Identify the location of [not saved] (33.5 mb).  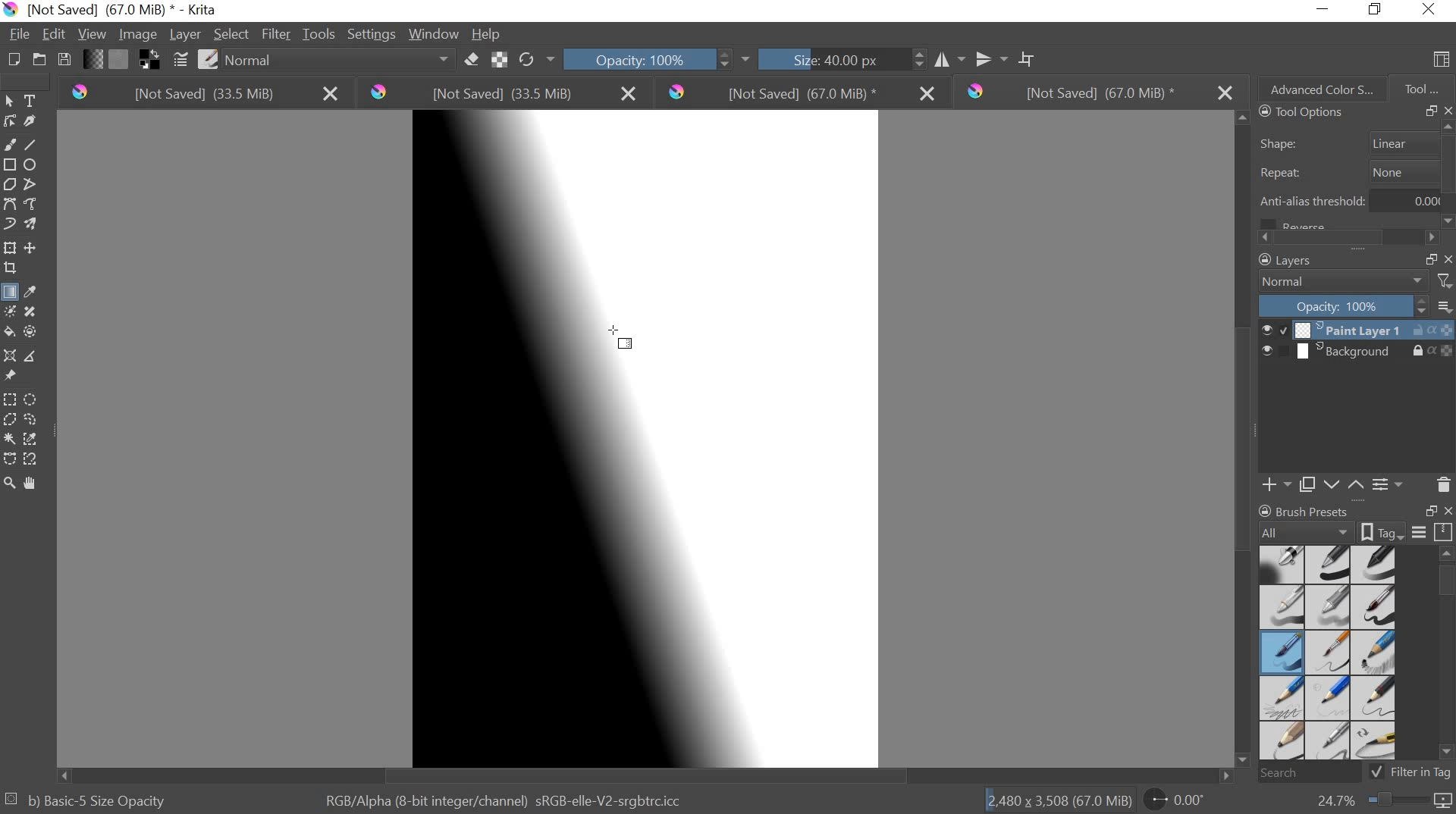
(199, 95).